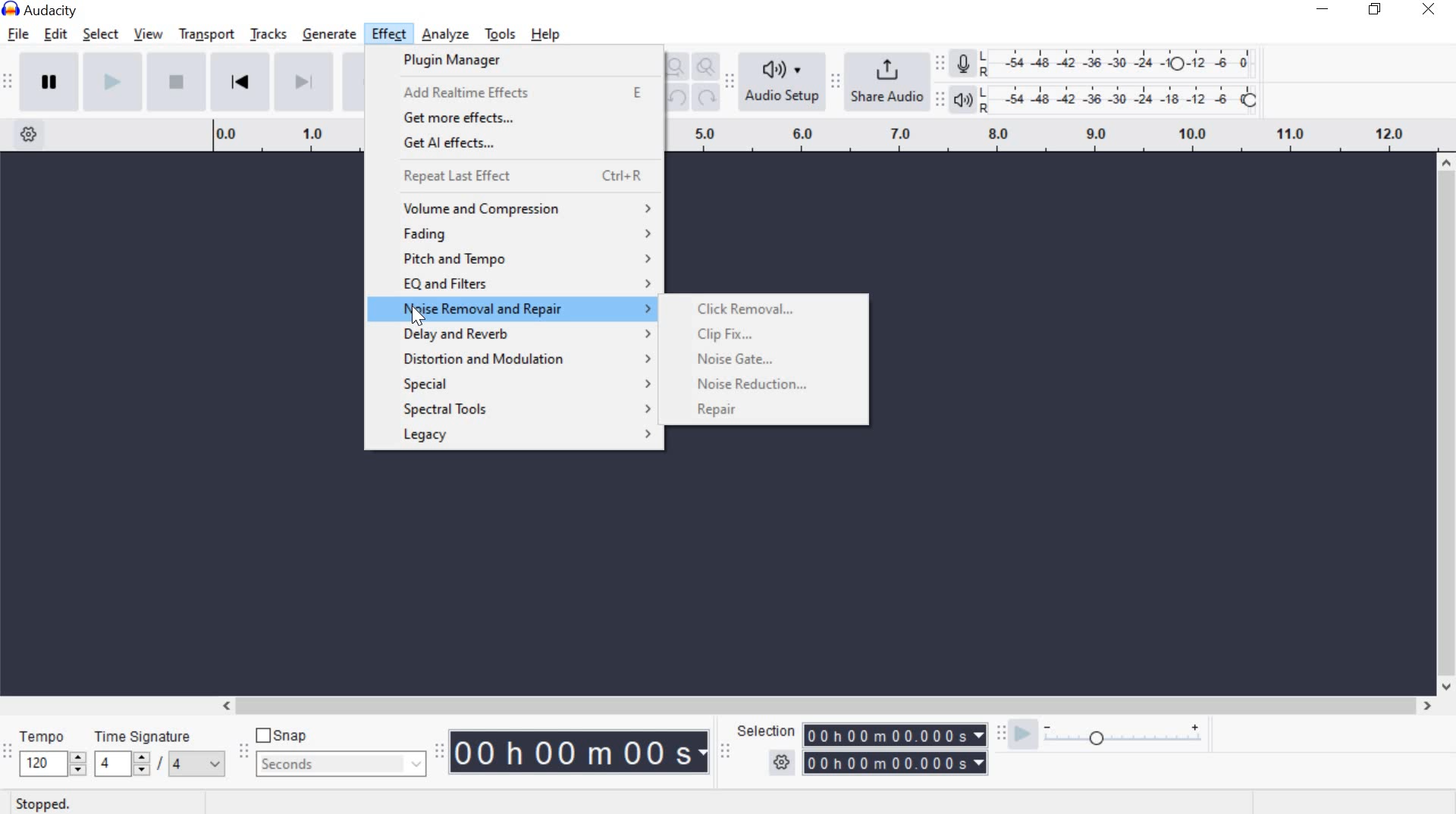  I want to click on selection time, so click(893, 734).